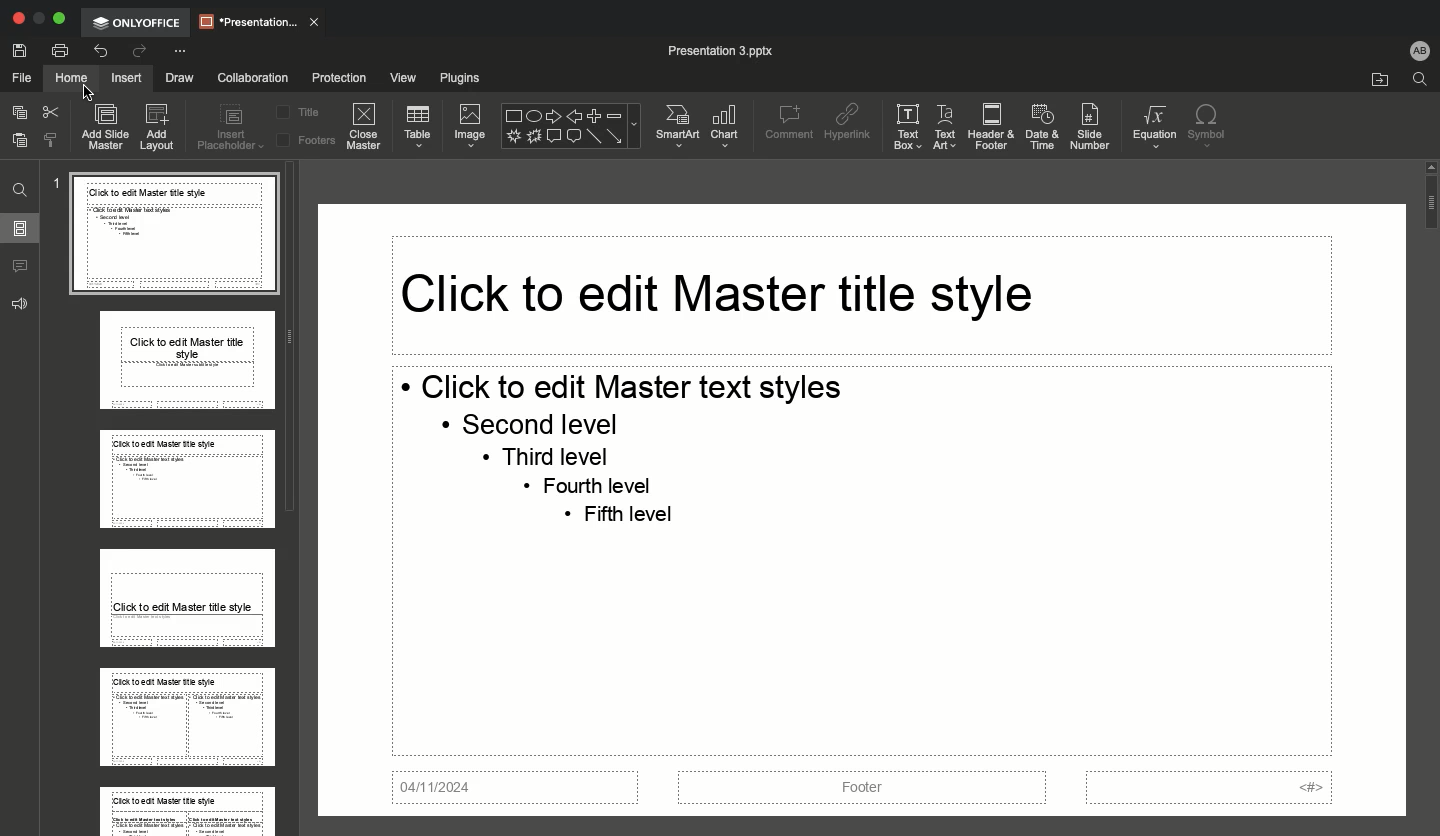  What do you see at coordinates (137, 52) in the screenshot?
I see `Redo` at bounding box center [137, 52].